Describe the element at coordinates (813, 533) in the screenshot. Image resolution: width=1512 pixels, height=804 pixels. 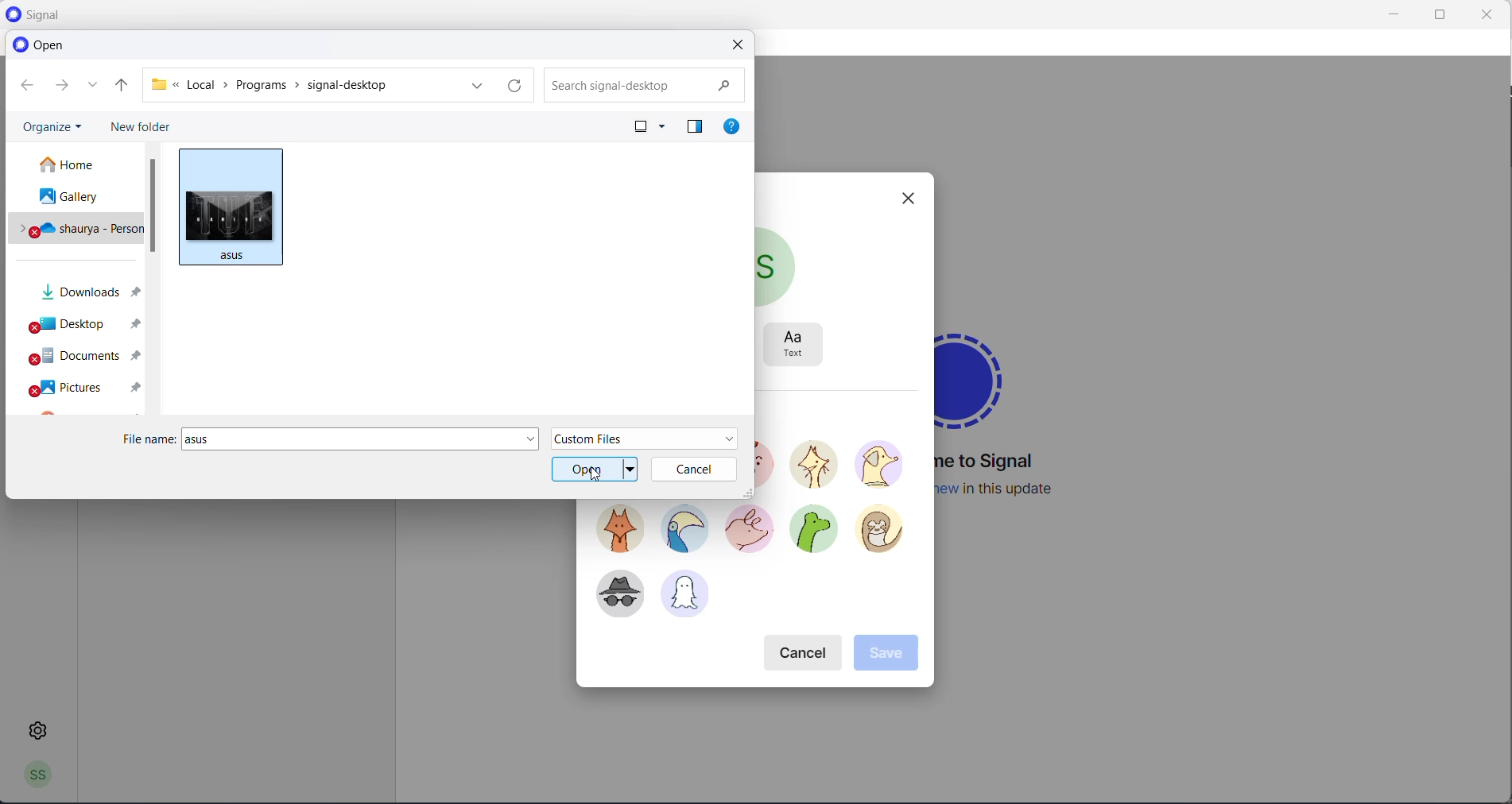
I see `avatar` at that location.